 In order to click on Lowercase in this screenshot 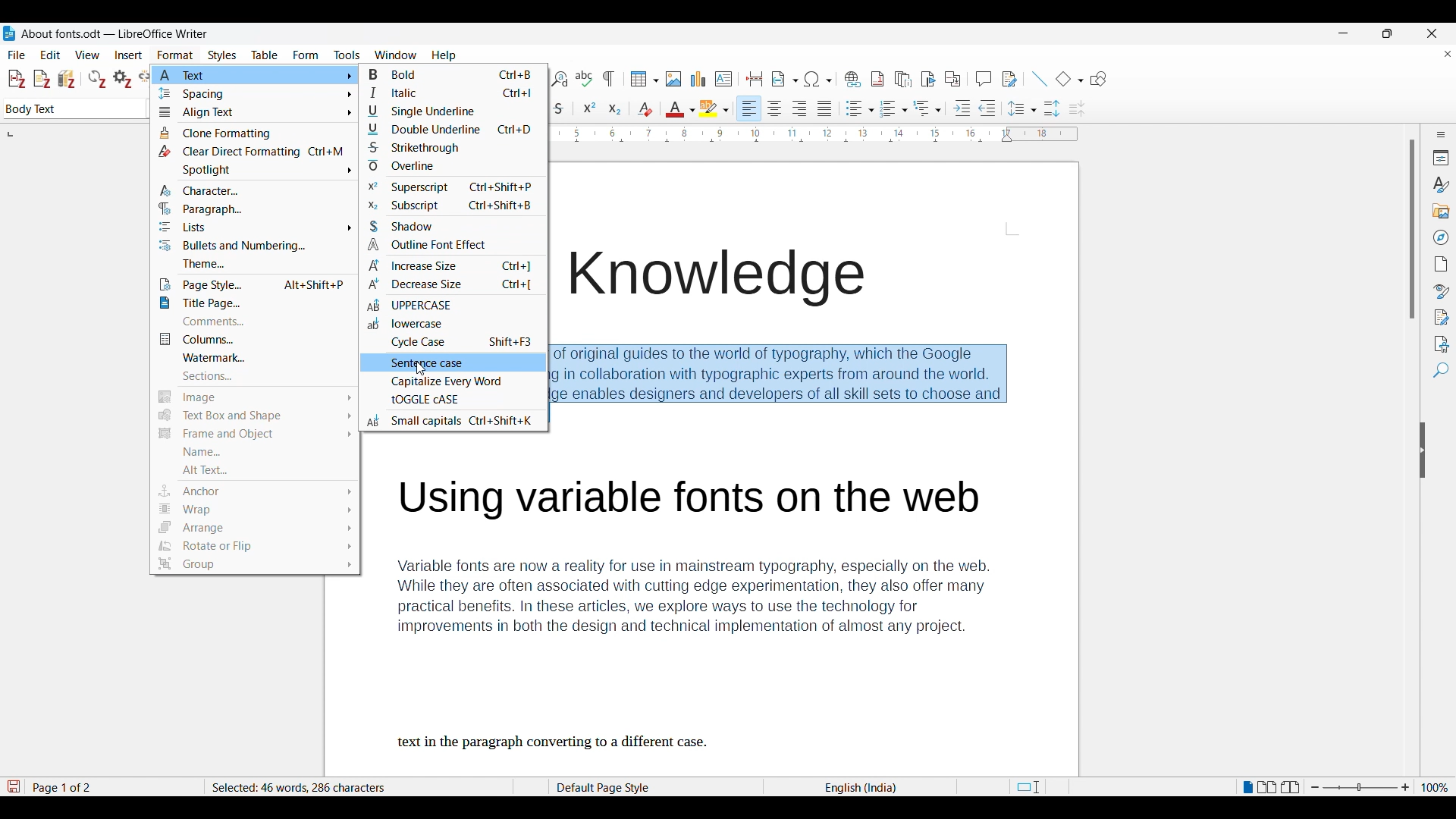, I will do `click(409, 326)`.